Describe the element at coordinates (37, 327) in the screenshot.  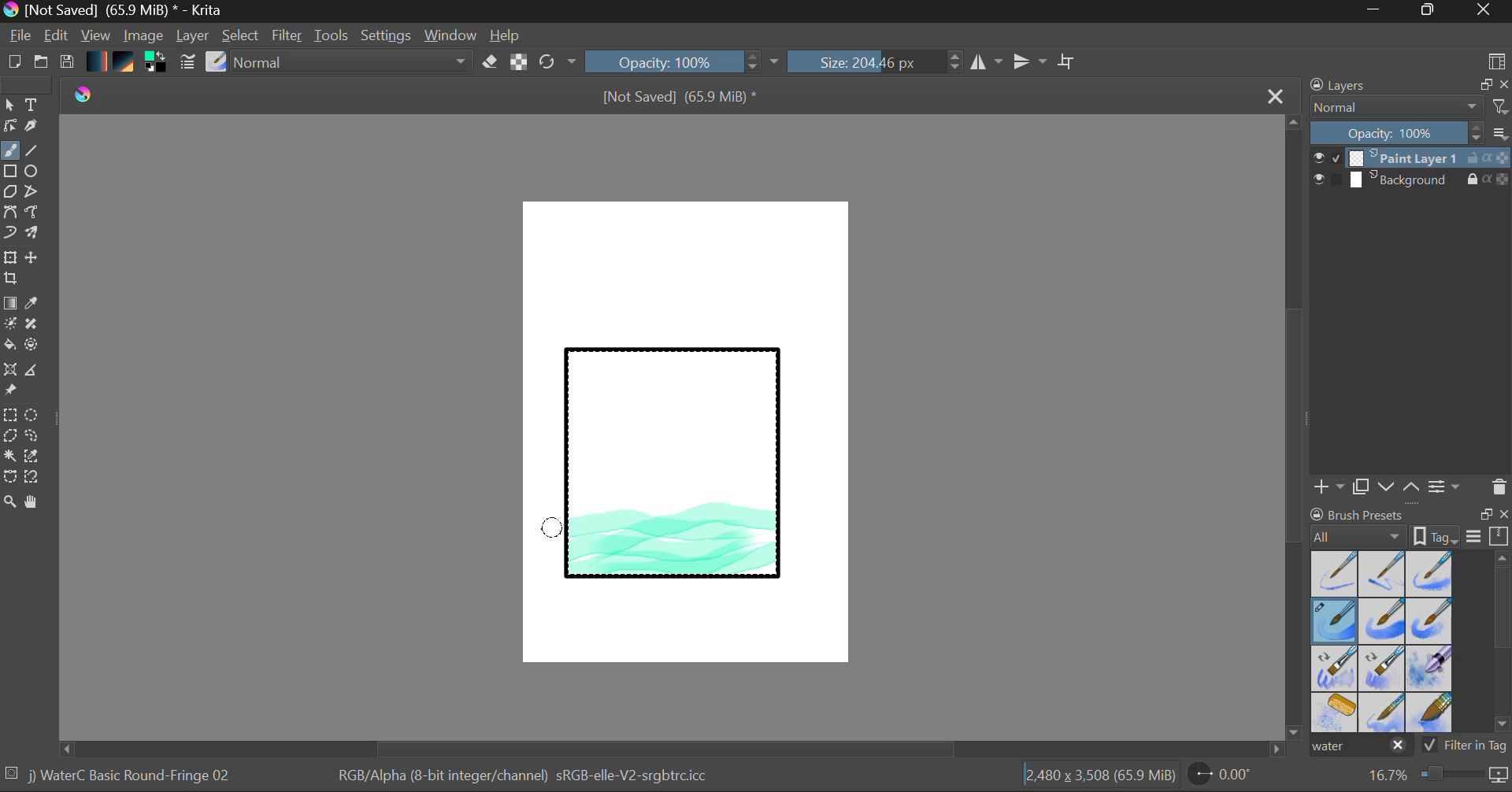
I see `Smart Patch Tool` at that location.